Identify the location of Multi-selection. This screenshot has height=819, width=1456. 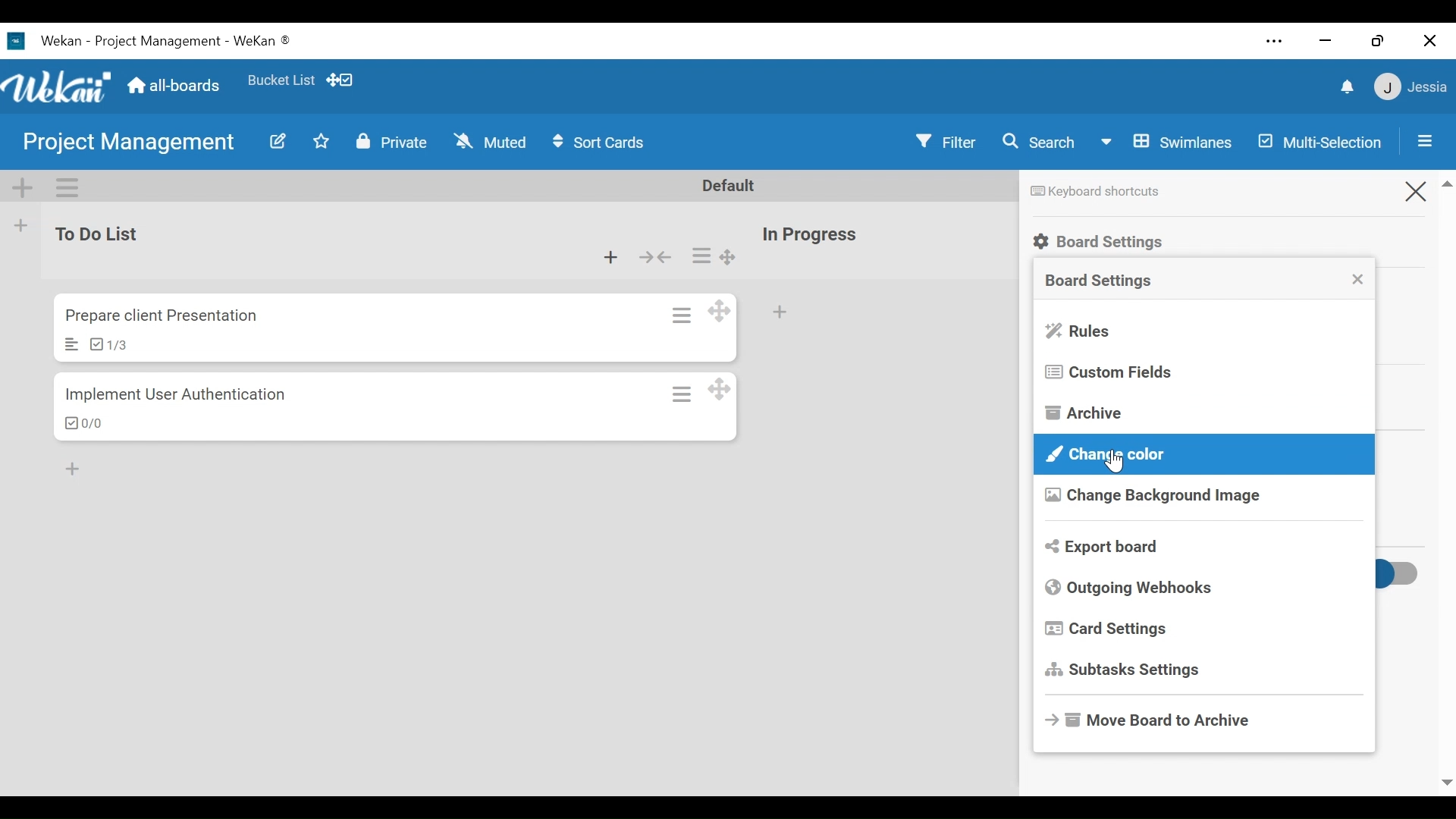
(1319, 142).